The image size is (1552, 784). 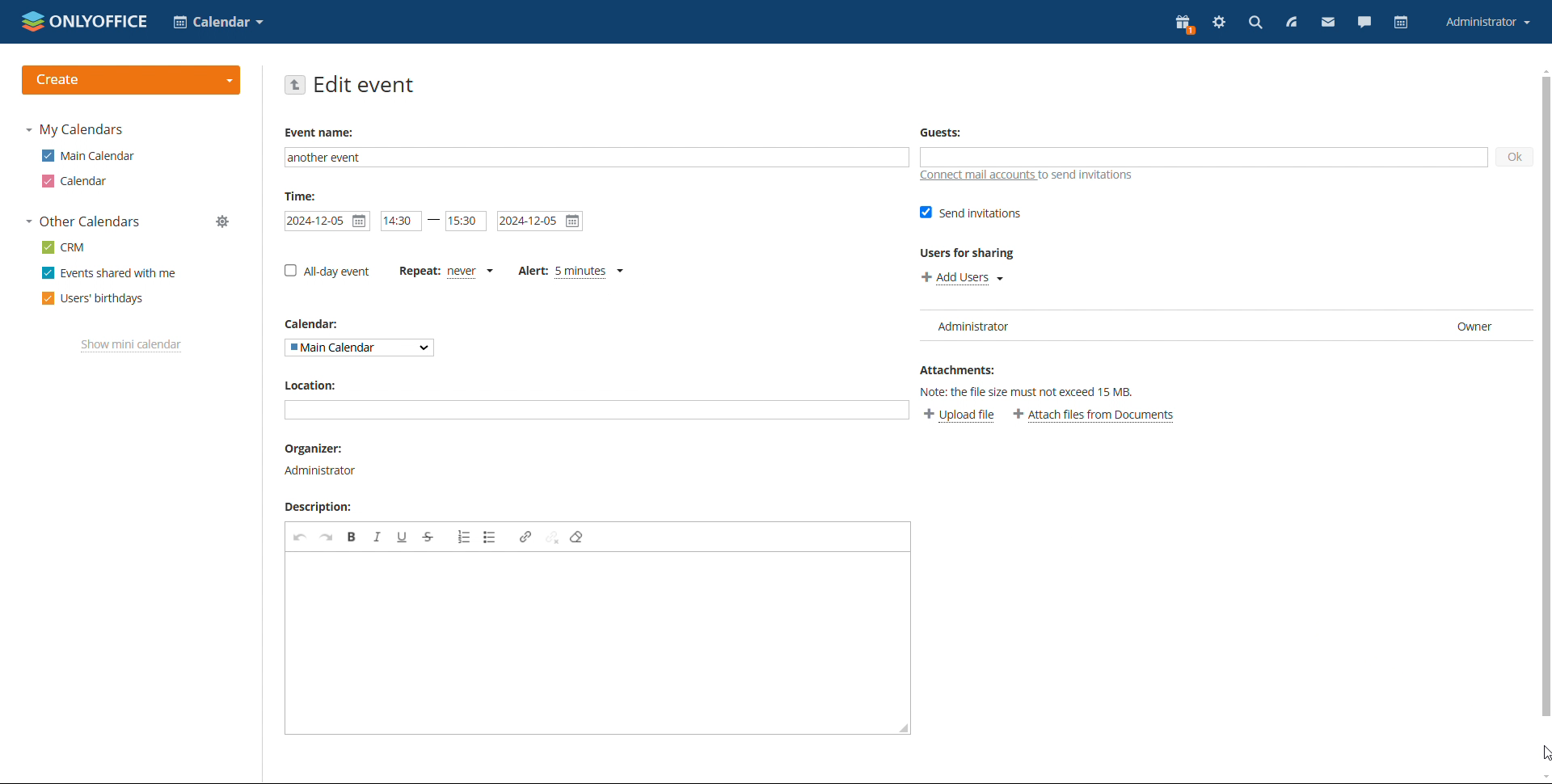 What do you see at coordinates (1094, 415) in the screenshot?
I see `attach files from documents` at bounding box center [1094, 415].